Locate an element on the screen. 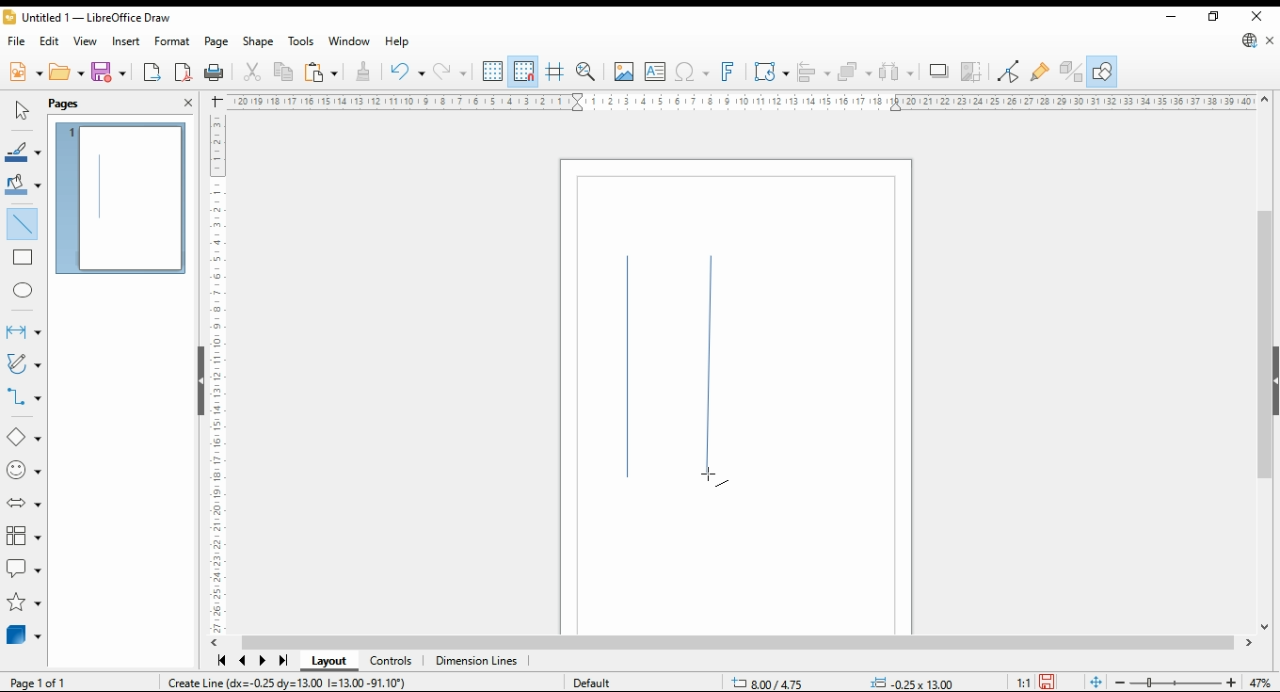 The height and width of the screenshot is (692, 1280). show draw functions is located at coordinates (1102, 71).